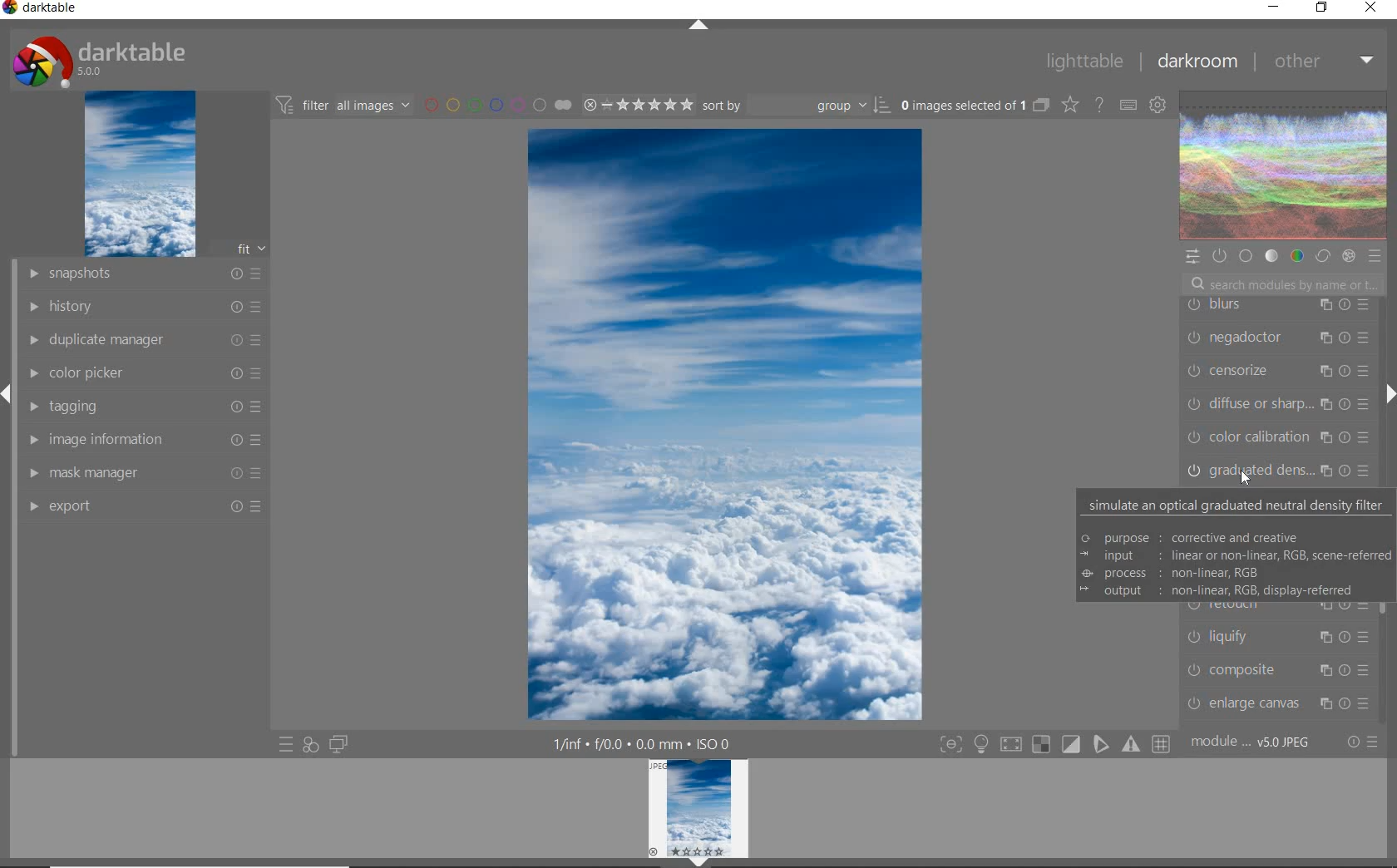  What do you see at coordinates (1251, 745) in the screenshot?
I see `module ... v5.0 JPEG` at bounding box center [1251, 745].